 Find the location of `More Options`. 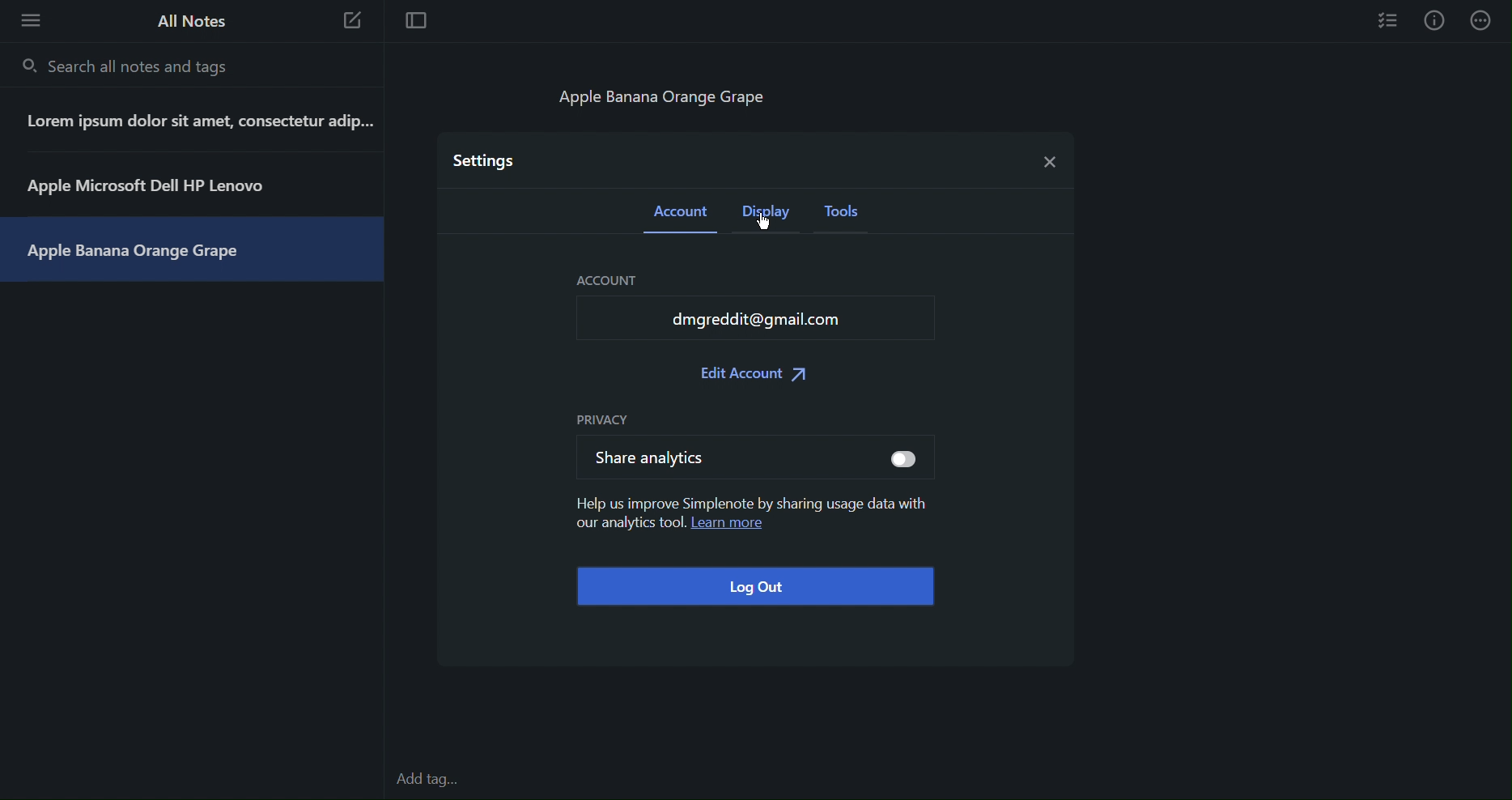

More Options is located at coordinates (26, 19).